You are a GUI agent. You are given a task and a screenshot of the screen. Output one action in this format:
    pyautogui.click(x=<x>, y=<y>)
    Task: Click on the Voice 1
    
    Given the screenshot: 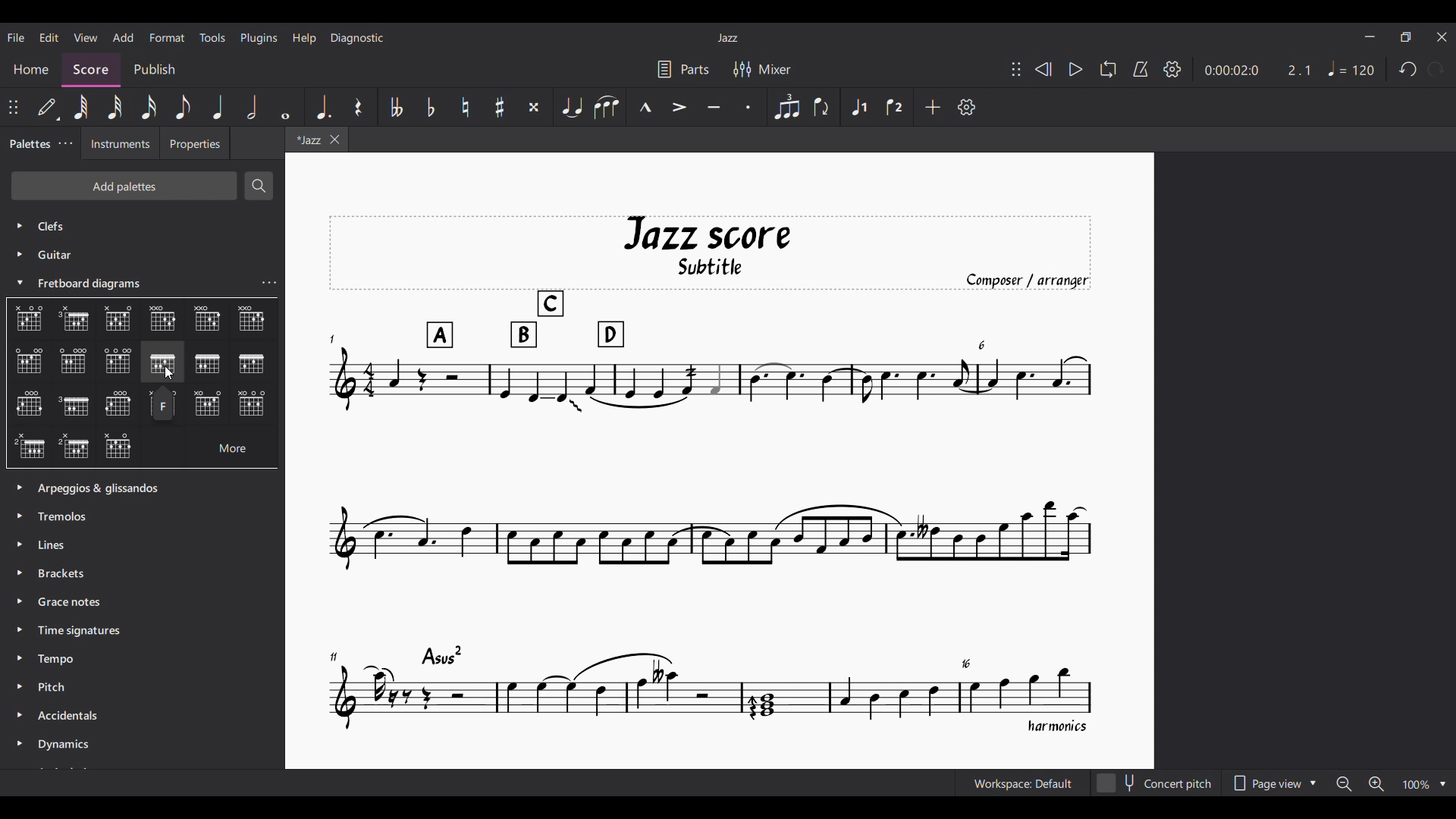 What is the action you would take?
    pyautogui.click(x=859, y=106)
    